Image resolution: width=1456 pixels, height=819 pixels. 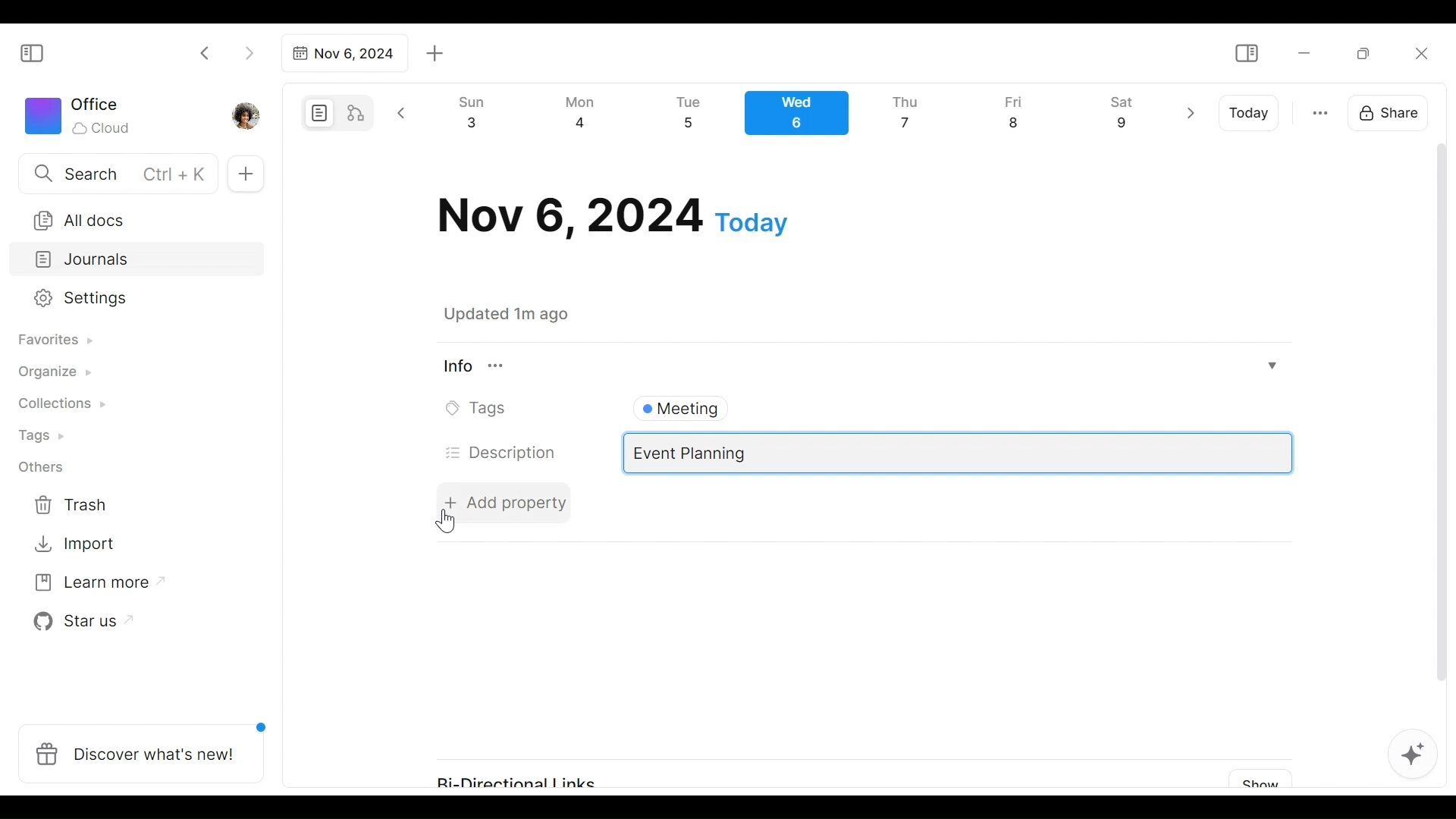 What do you see at coordinates (116, 173) in the screenshot?
I see `Search` at bounding box center [116, 173].